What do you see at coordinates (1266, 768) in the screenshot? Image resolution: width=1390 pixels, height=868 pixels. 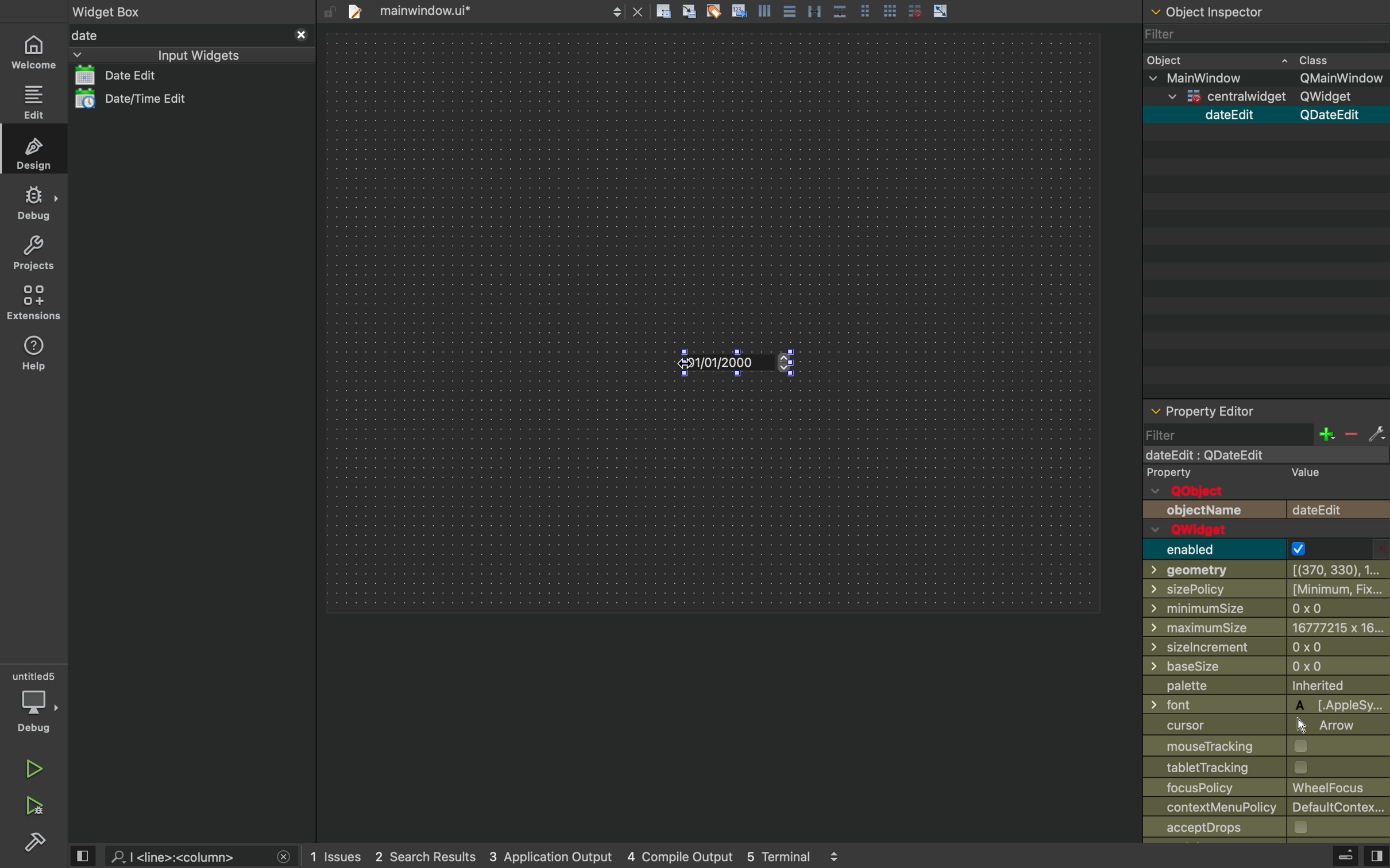 I see `tabletracking` at bounding box center [1266, 768].